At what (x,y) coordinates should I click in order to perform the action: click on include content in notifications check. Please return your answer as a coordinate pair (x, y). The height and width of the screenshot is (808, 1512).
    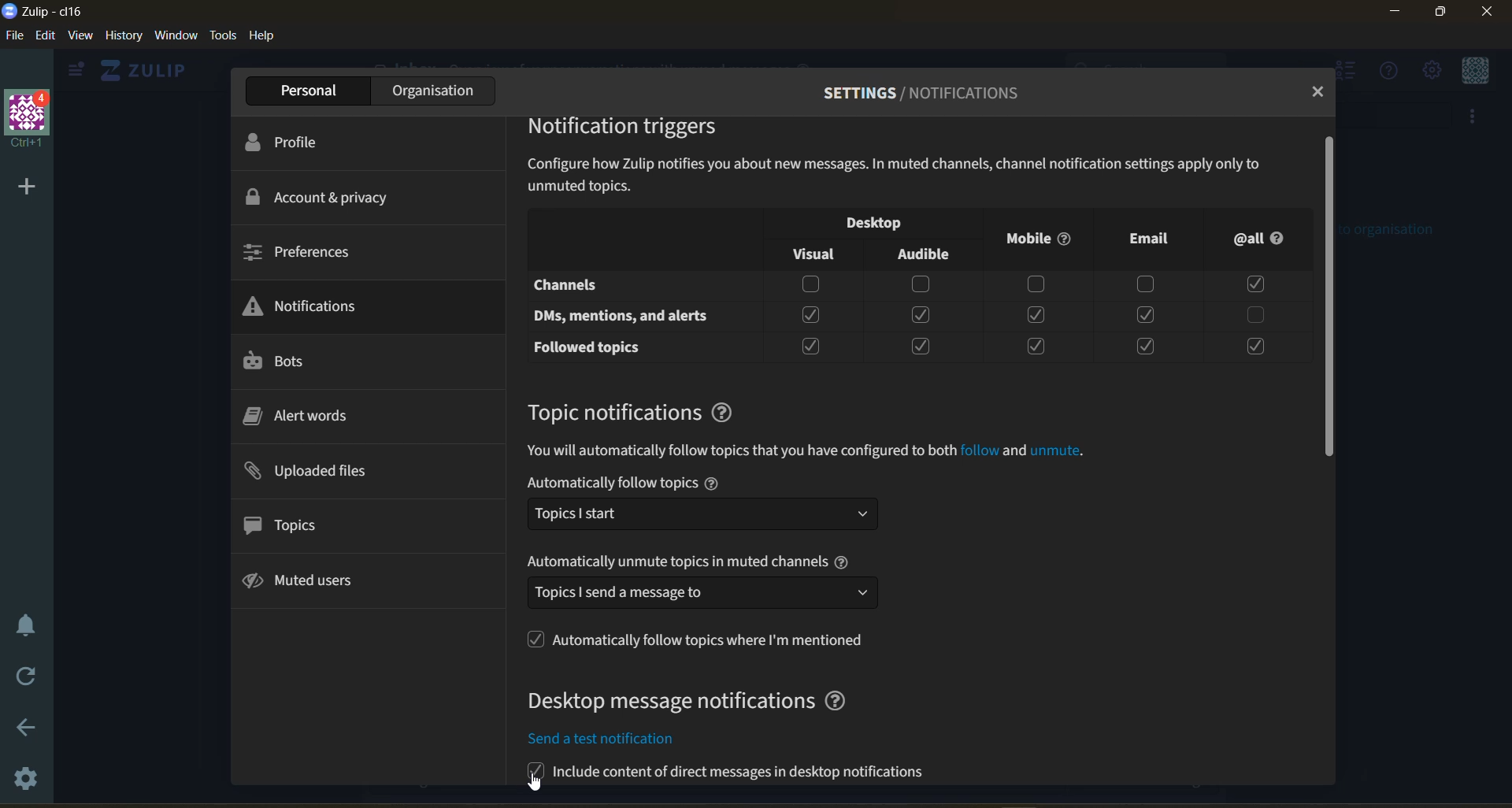
    Looking at the image, I should click on (718, 736).